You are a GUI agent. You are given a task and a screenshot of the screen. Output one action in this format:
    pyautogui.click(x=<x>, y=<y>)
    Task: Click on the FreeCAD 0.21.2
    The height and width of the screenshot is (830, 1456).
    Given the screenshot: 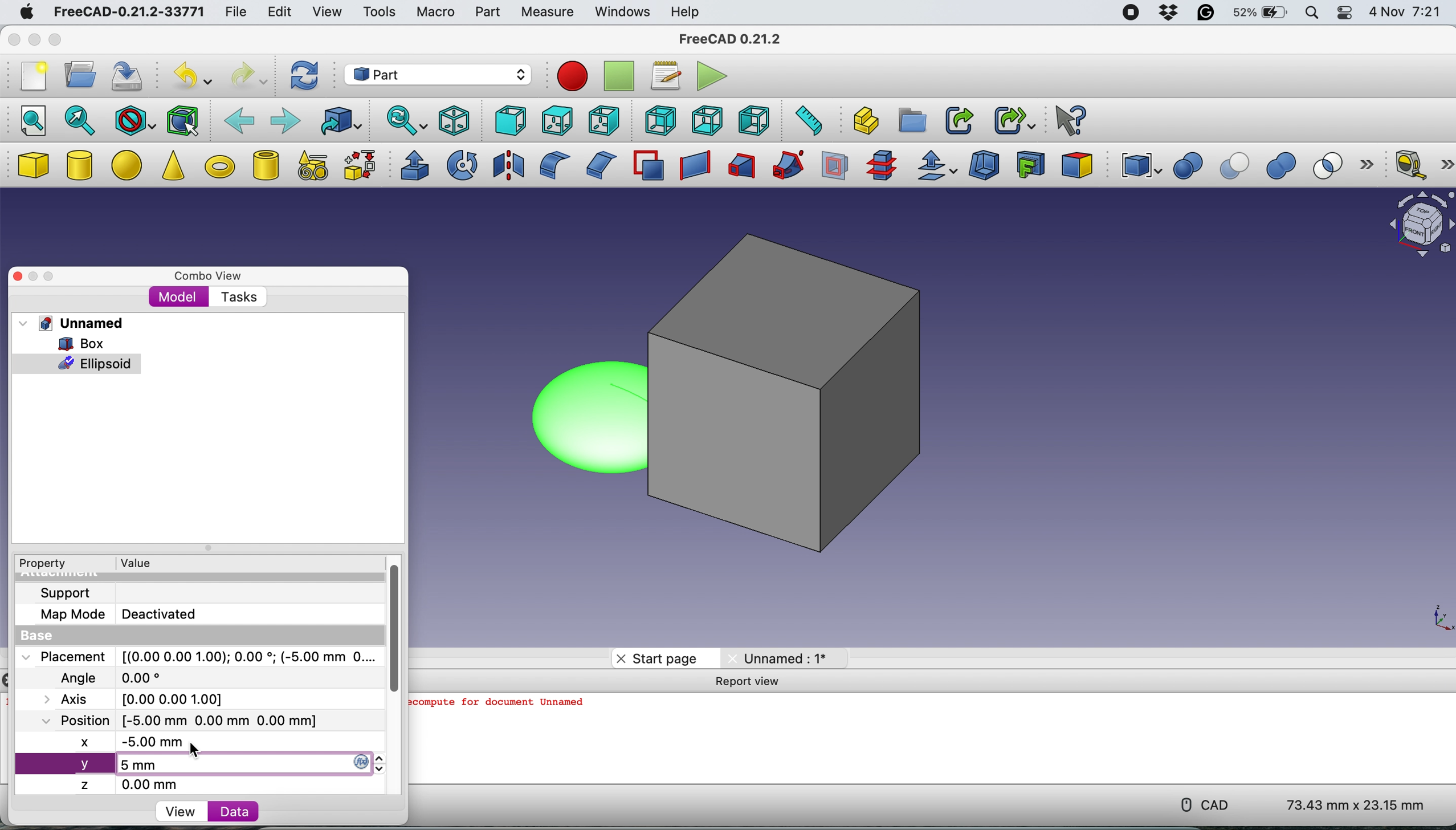 What is the action you would take?
    pyautogui.click(x=731, y=39)
    